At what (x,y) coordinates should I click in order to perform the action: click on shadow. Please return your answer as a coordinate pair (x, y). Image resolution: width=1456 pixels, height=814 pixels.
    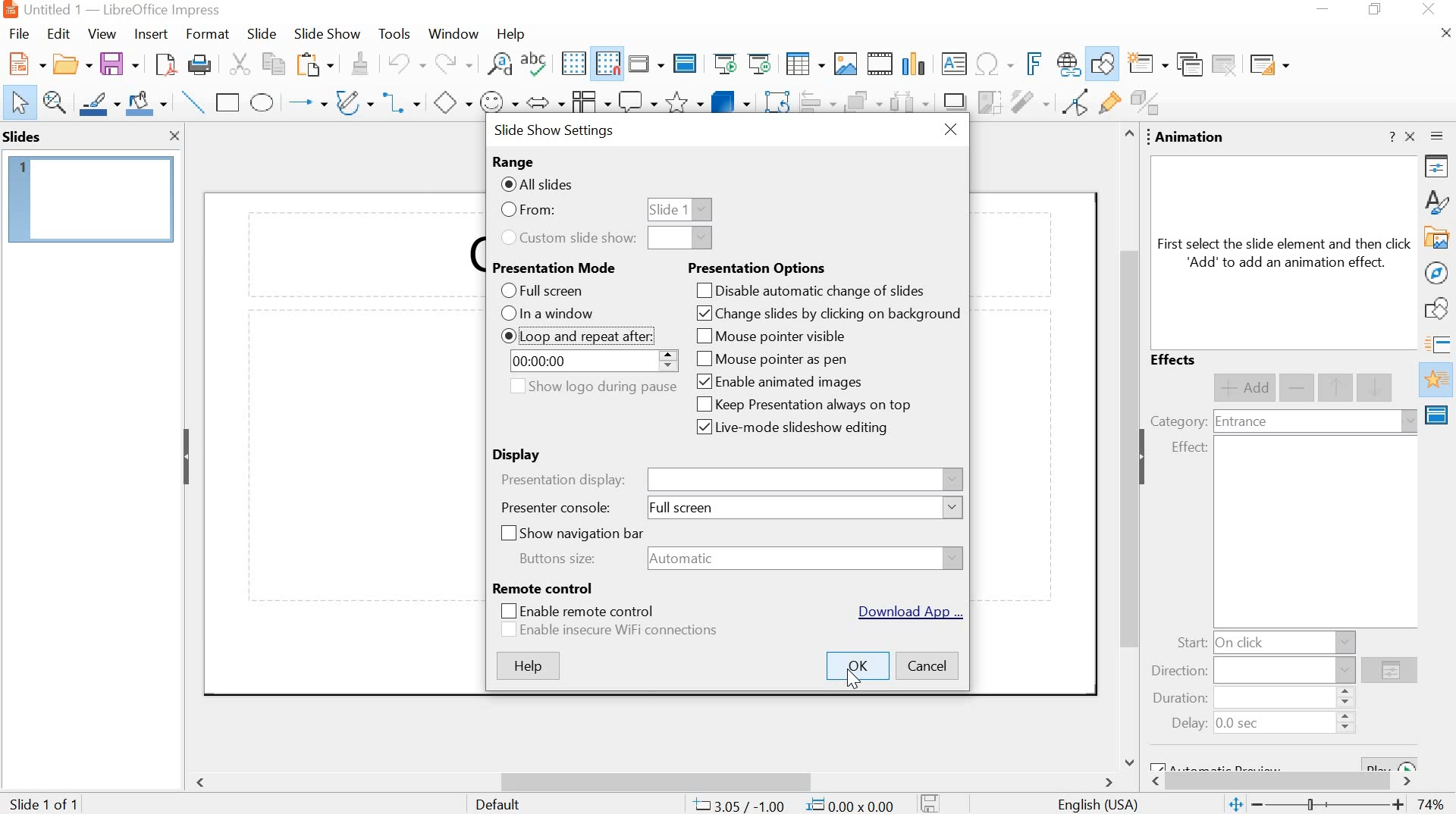
    Looking at the image, I should click on (954, 103).